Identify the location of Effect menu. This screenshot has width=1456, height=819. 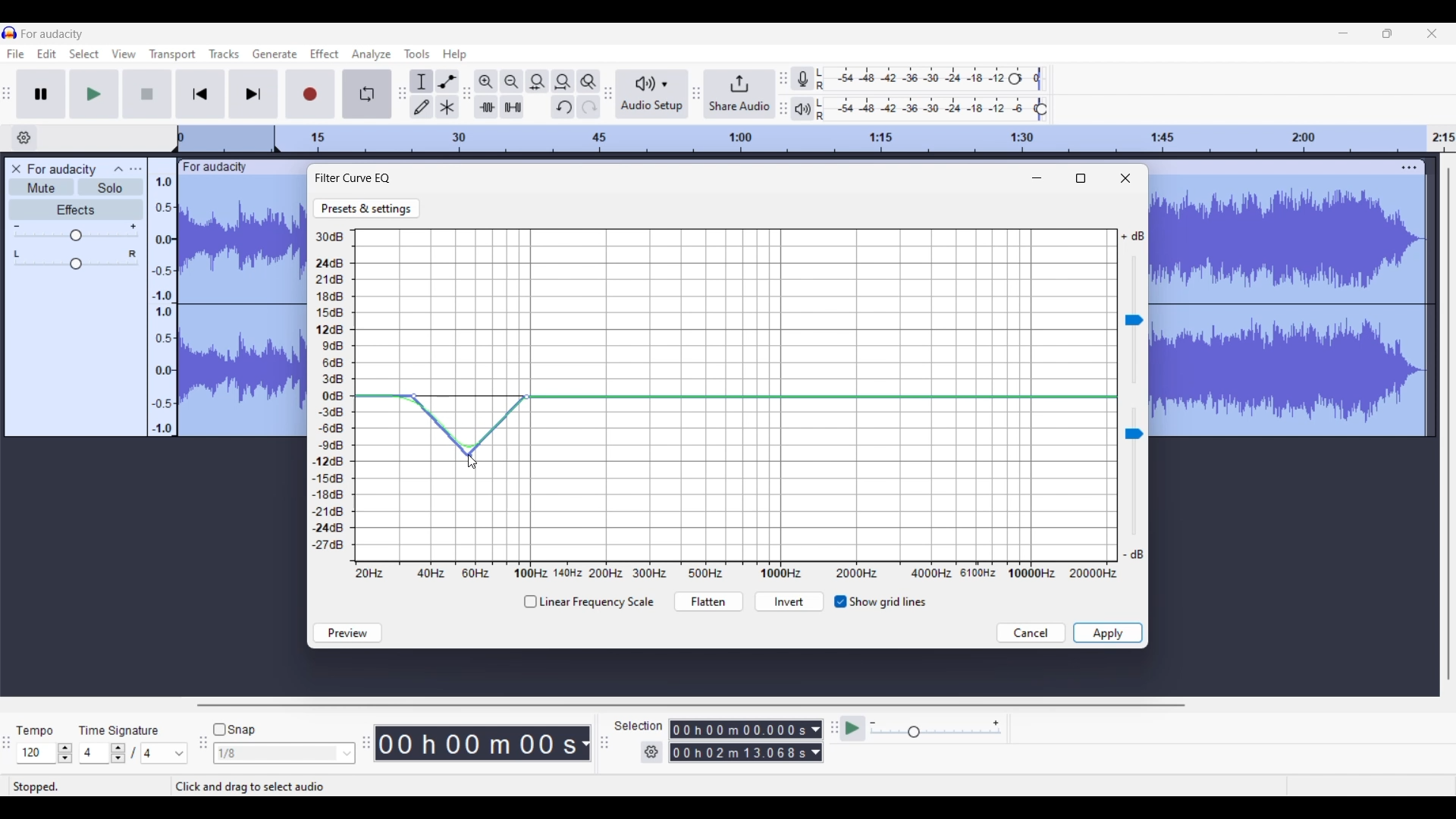
(324, 52).